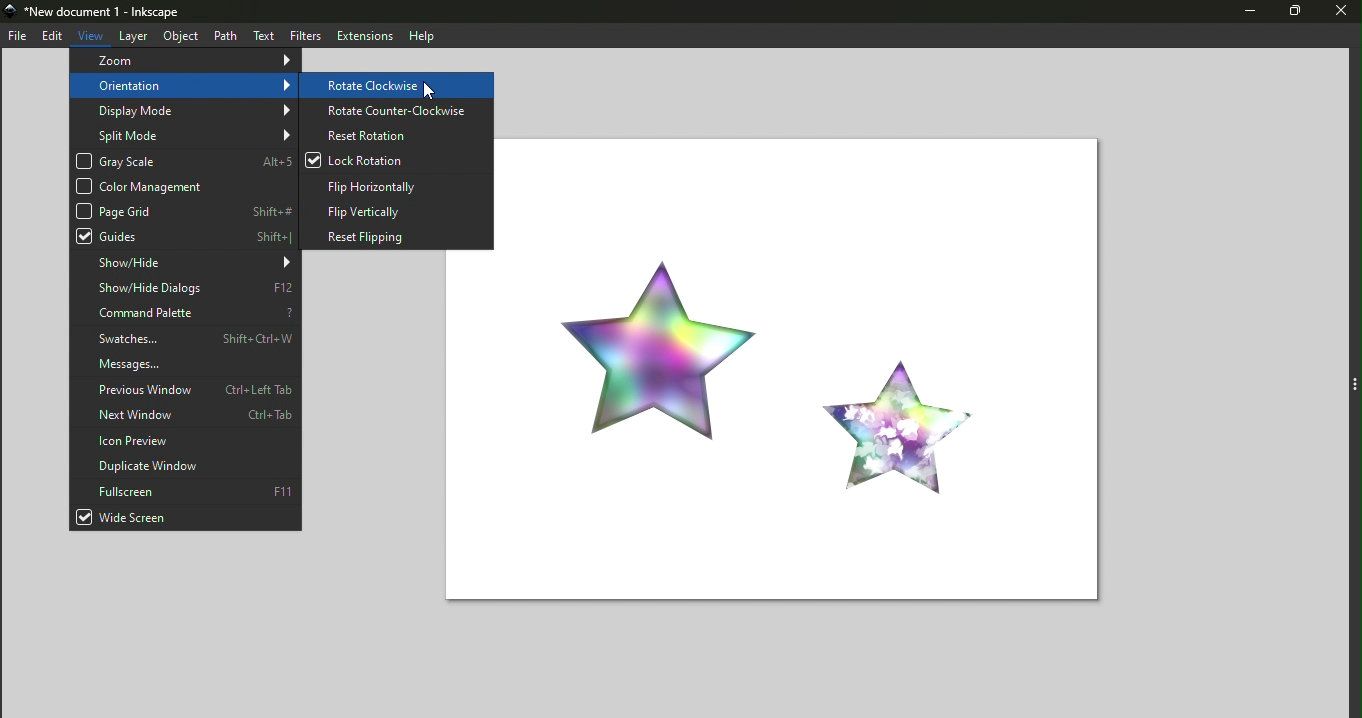 This screenshot has height=718, width=1362. What do you see at coordinates (92, 33) in the screenshot?
I see `View` at bounding box center [92, 33].